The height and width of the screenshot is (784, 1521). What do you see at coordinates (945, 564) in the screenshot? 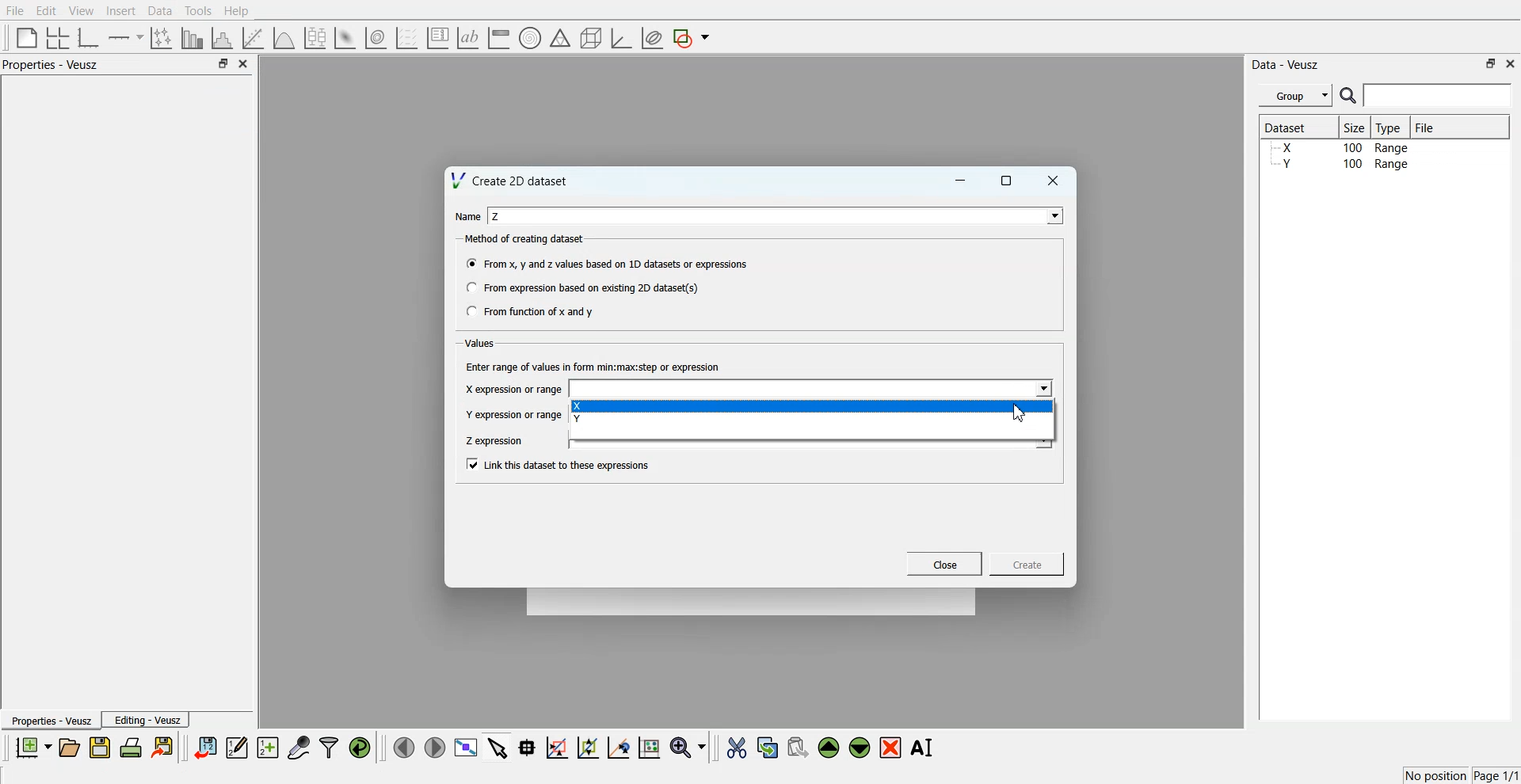
I see `Close` at bounding box center [945, 564].